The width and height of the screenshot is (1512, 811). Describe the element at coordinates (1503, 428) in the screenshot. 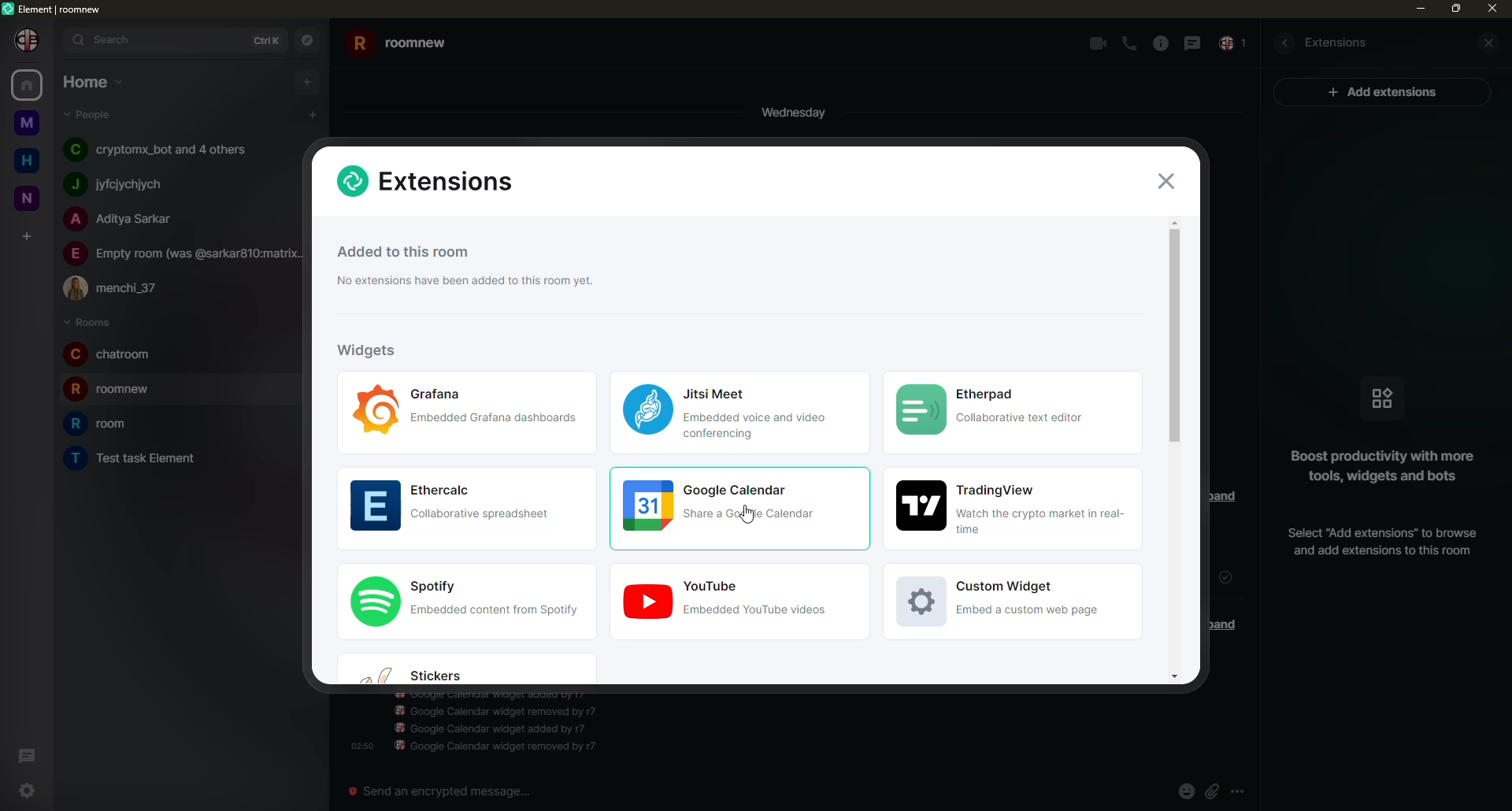

I see `vertical scrollbar` at that location.